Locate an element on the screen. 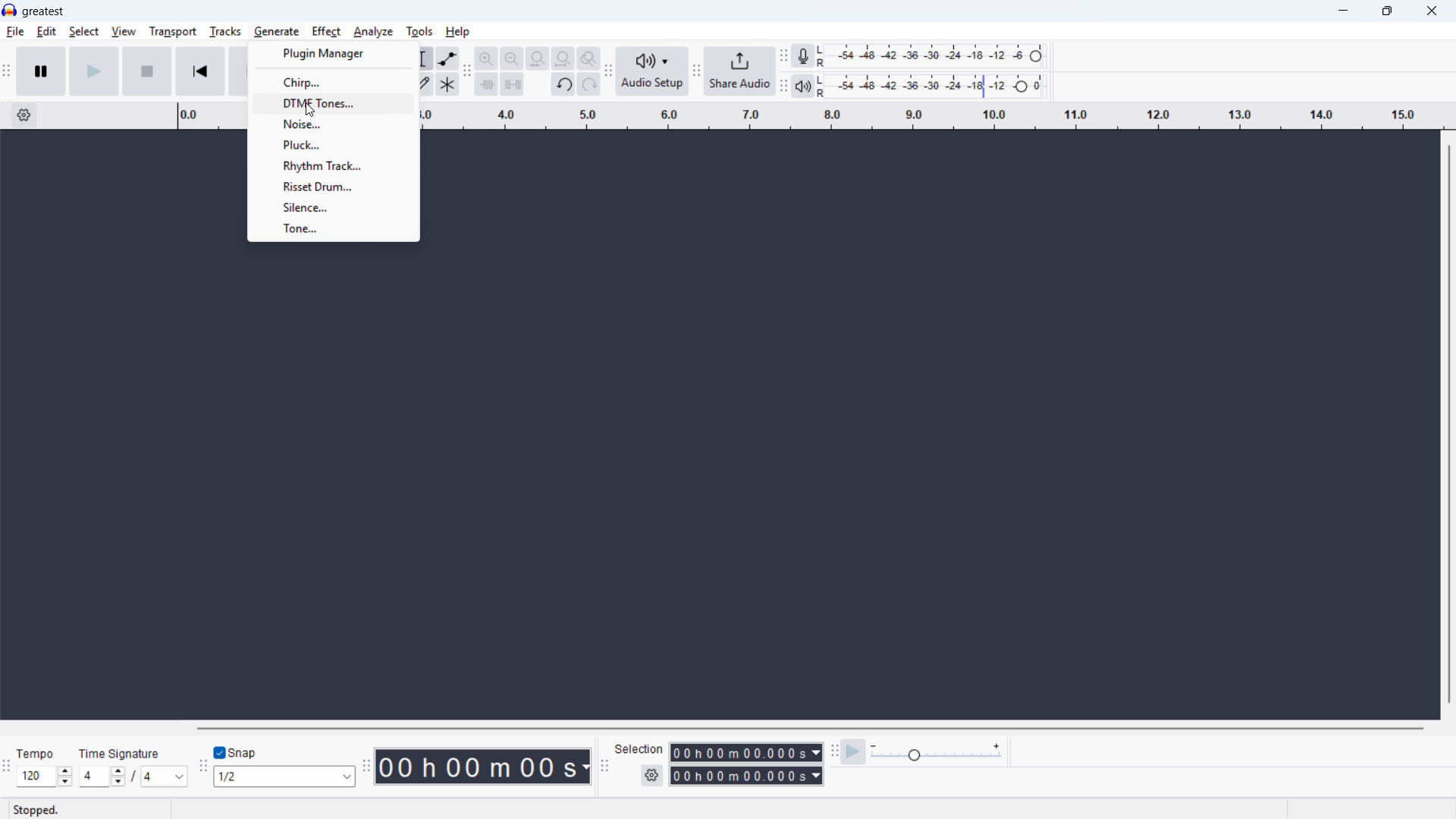  Plug in manager  is located at coordinates (333, 54).